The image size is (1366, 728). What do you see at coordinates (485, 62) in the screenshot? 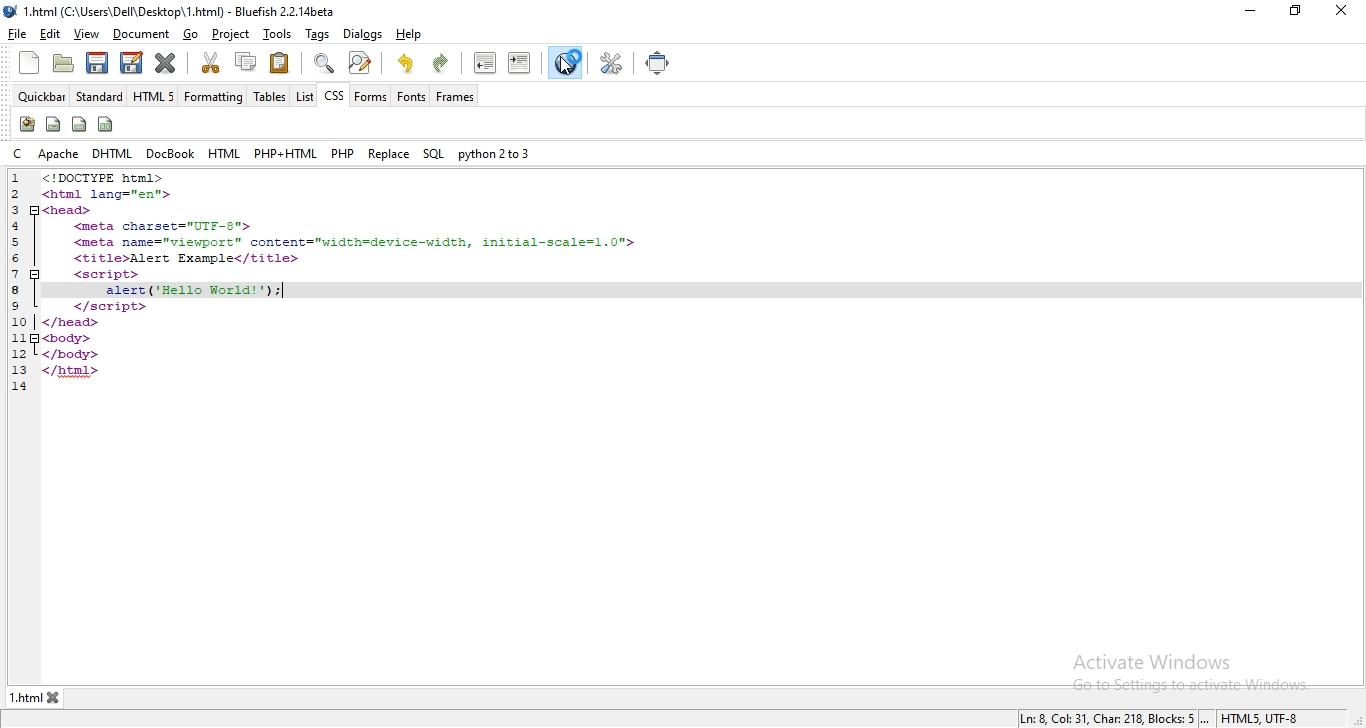
I see `unindent` at bounding box center [485, 62].